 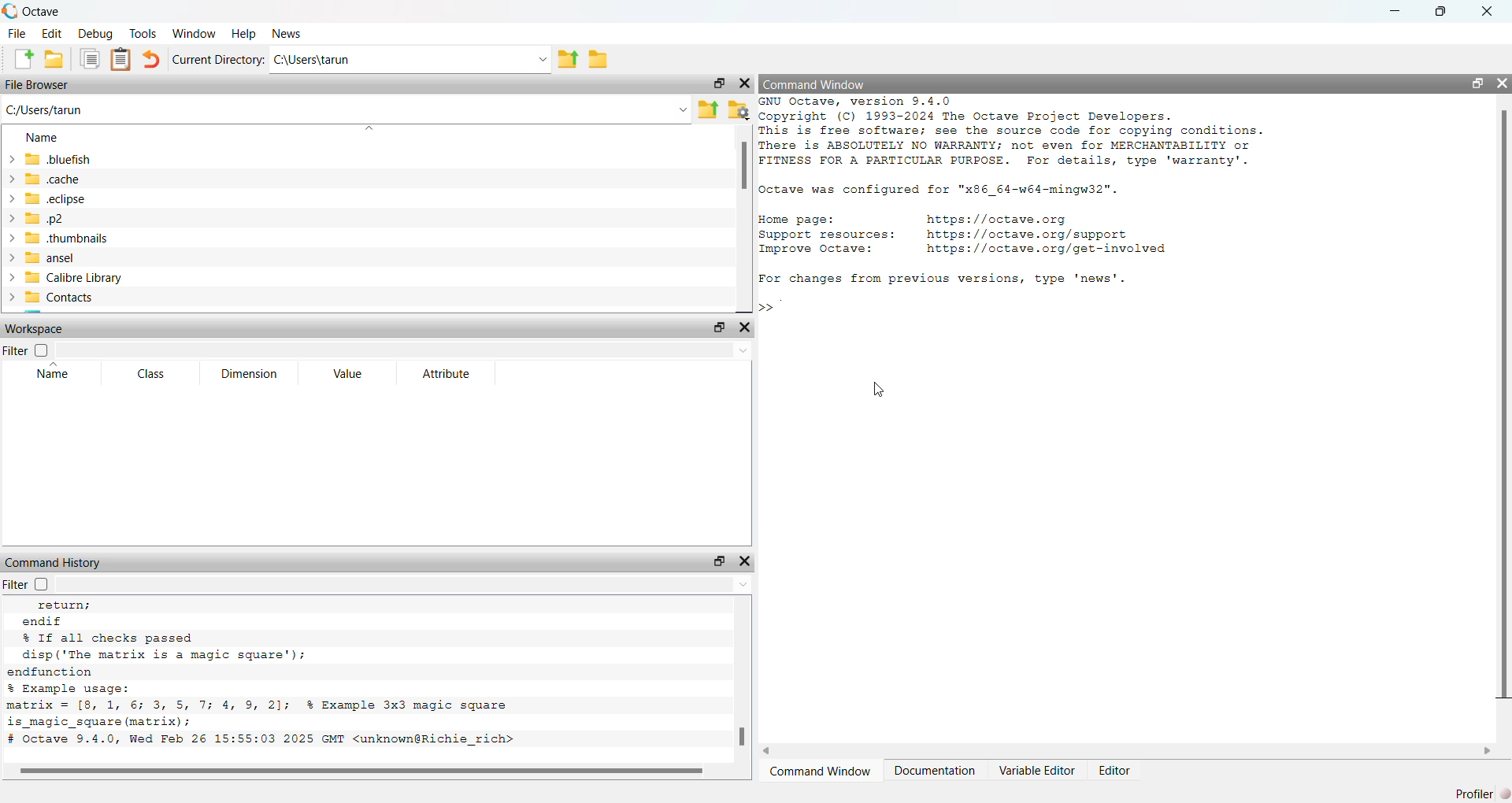 What do you see at coordinates (51, 298) in the screenshot?
I see `Contacts` at bounding box center [51, 298].